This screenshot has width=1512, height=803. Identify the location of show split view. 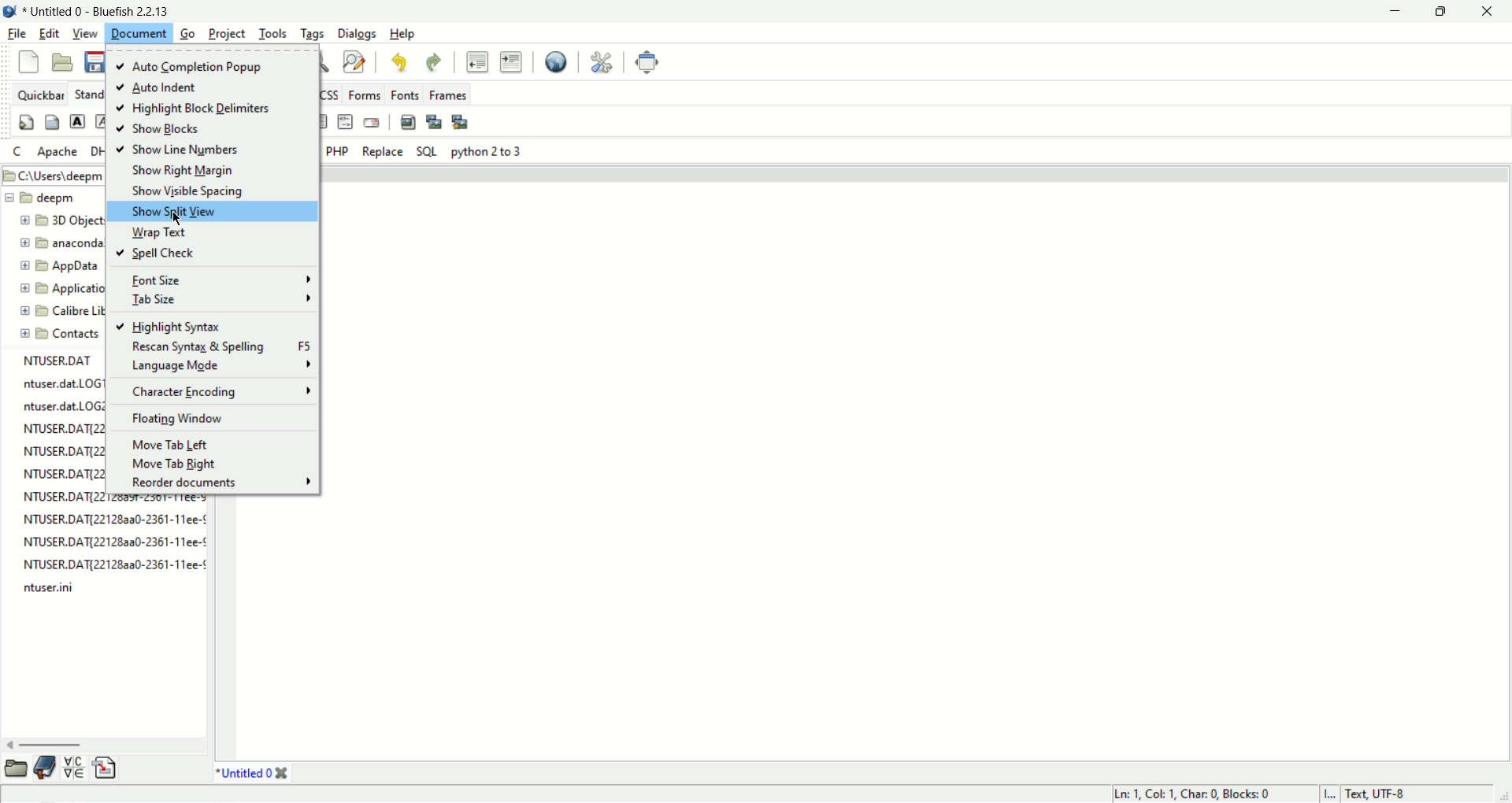
(201, 212).